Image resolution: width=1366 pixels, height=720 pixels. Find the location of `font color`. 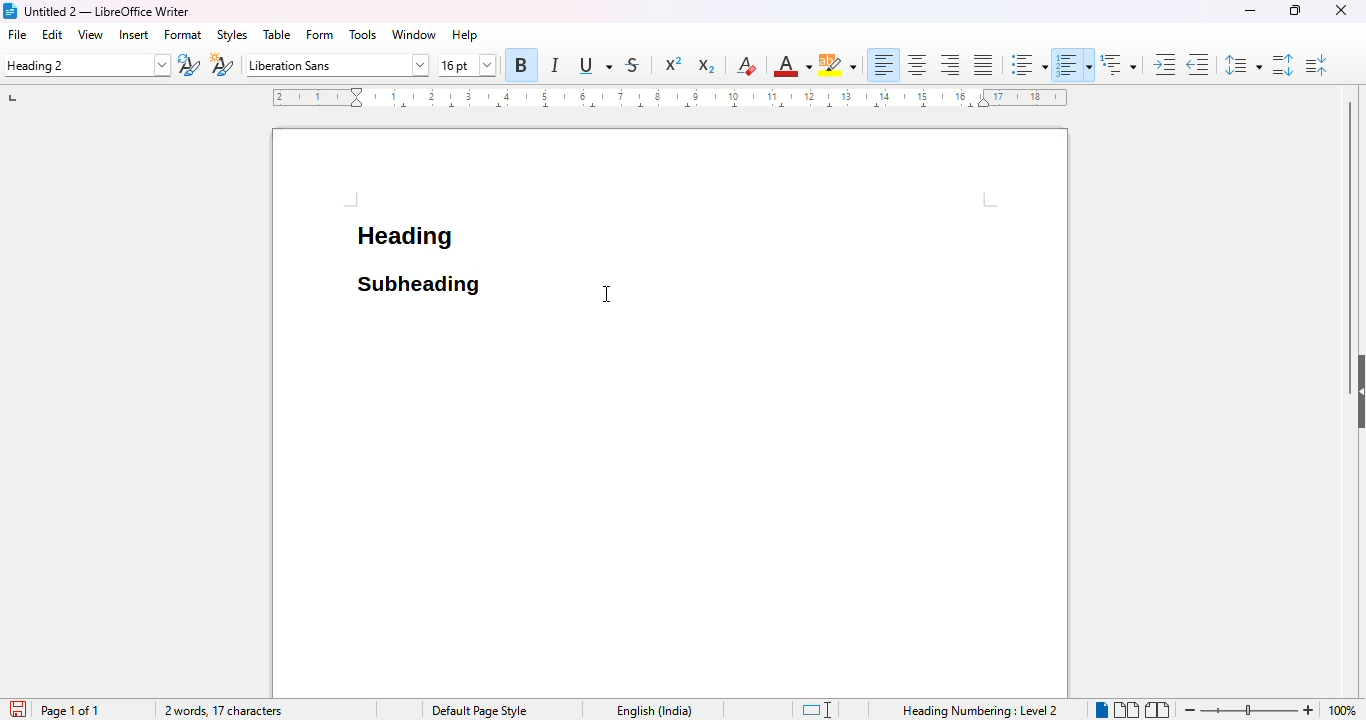

font color is located at coordinates (791, 67).